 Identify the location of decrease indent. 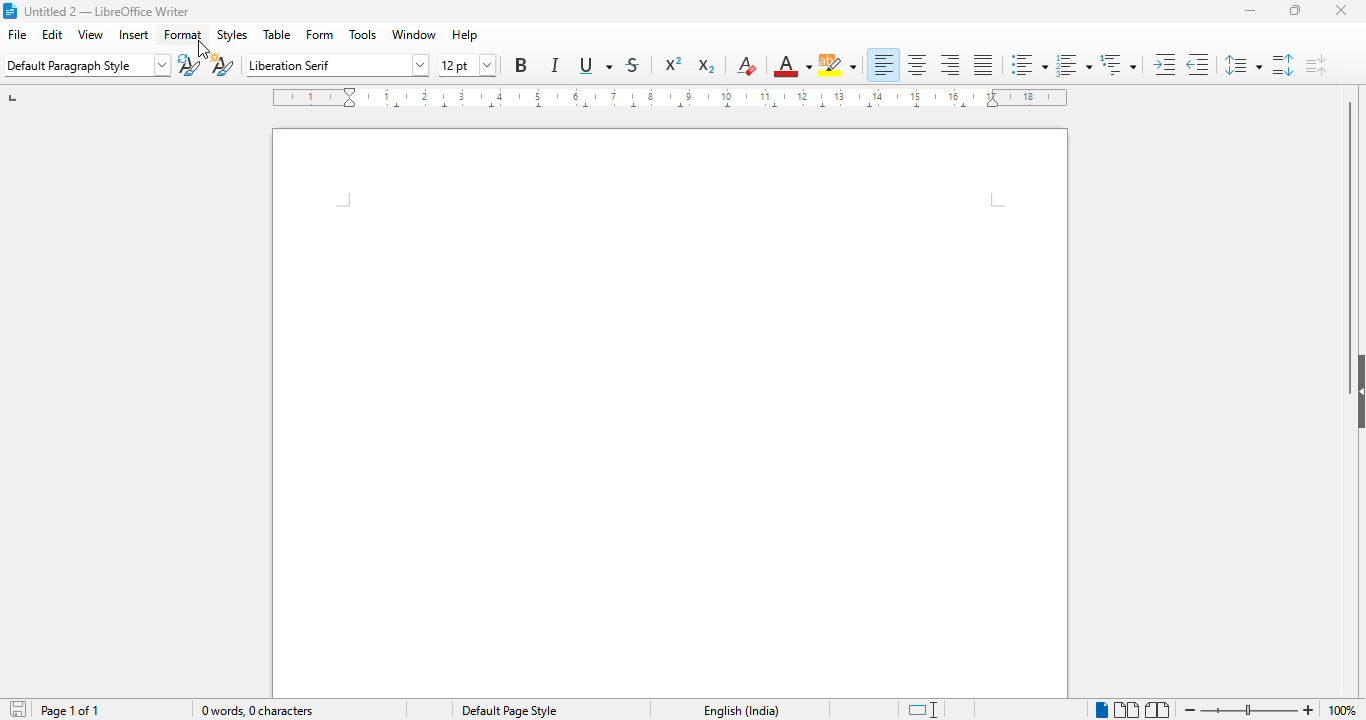
(1197, 65).